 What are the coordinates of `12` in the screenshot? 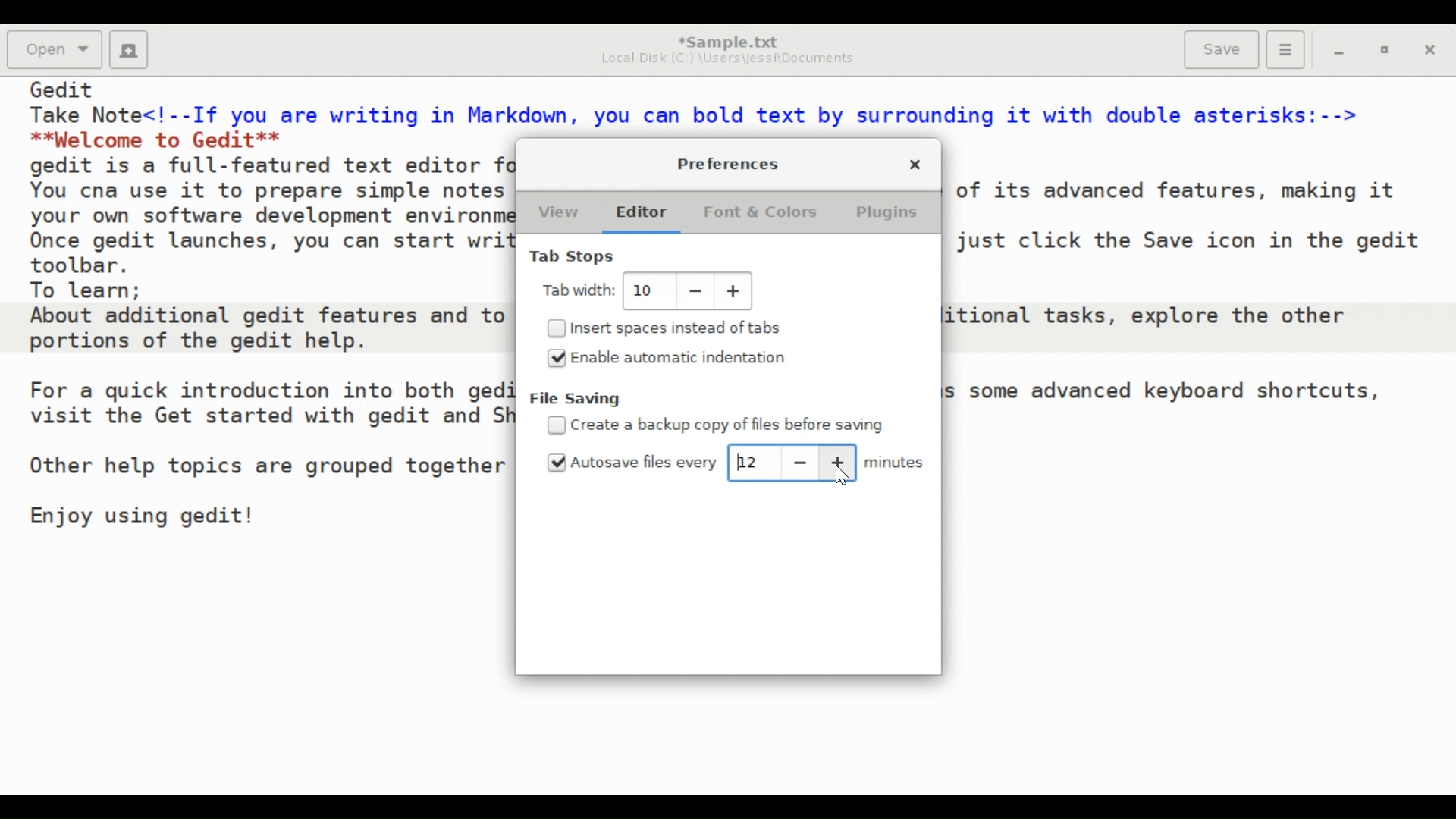 It's located at (750, 463).